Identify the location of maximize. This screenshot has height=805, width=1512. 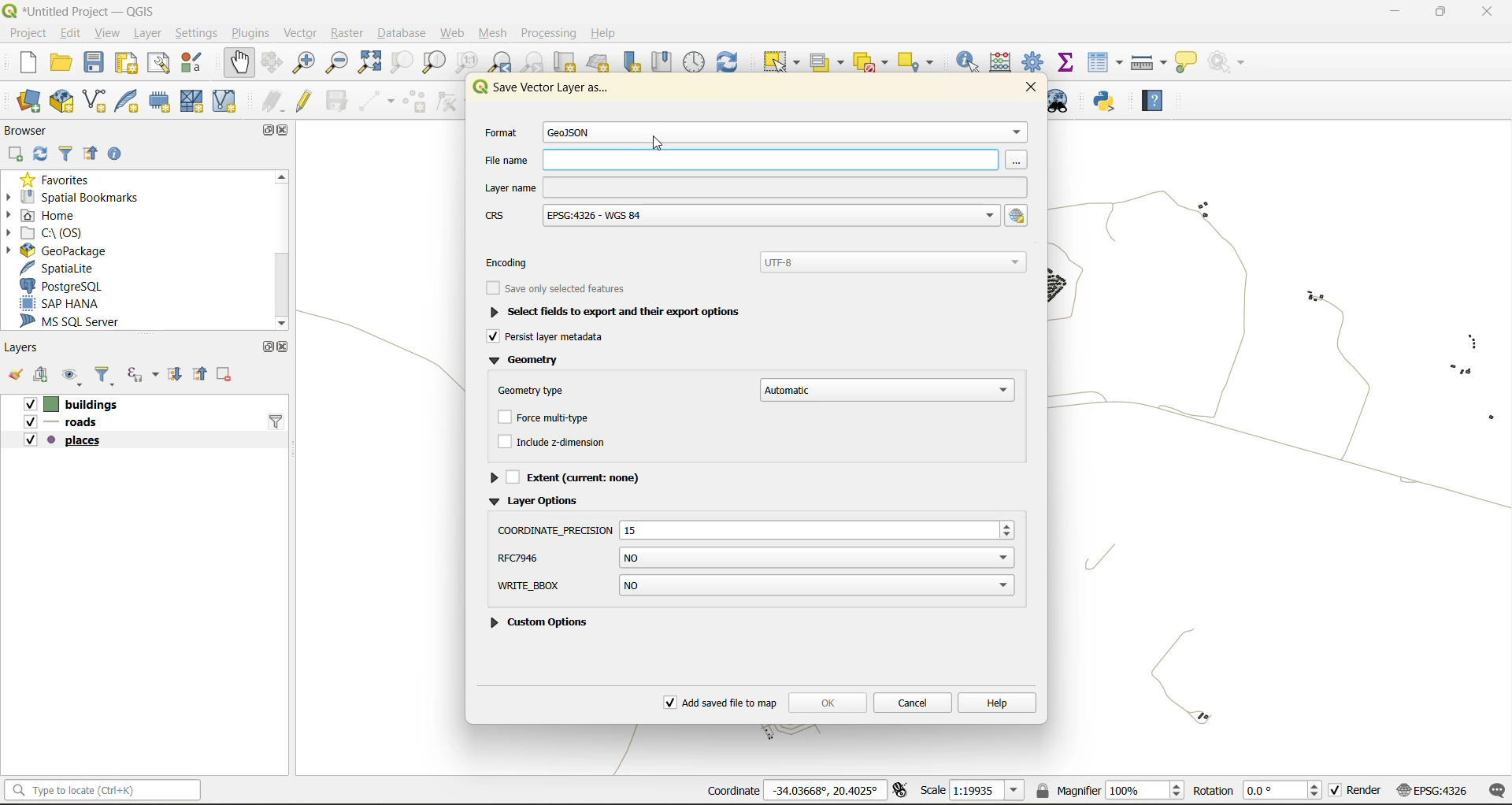
(1440, 13).